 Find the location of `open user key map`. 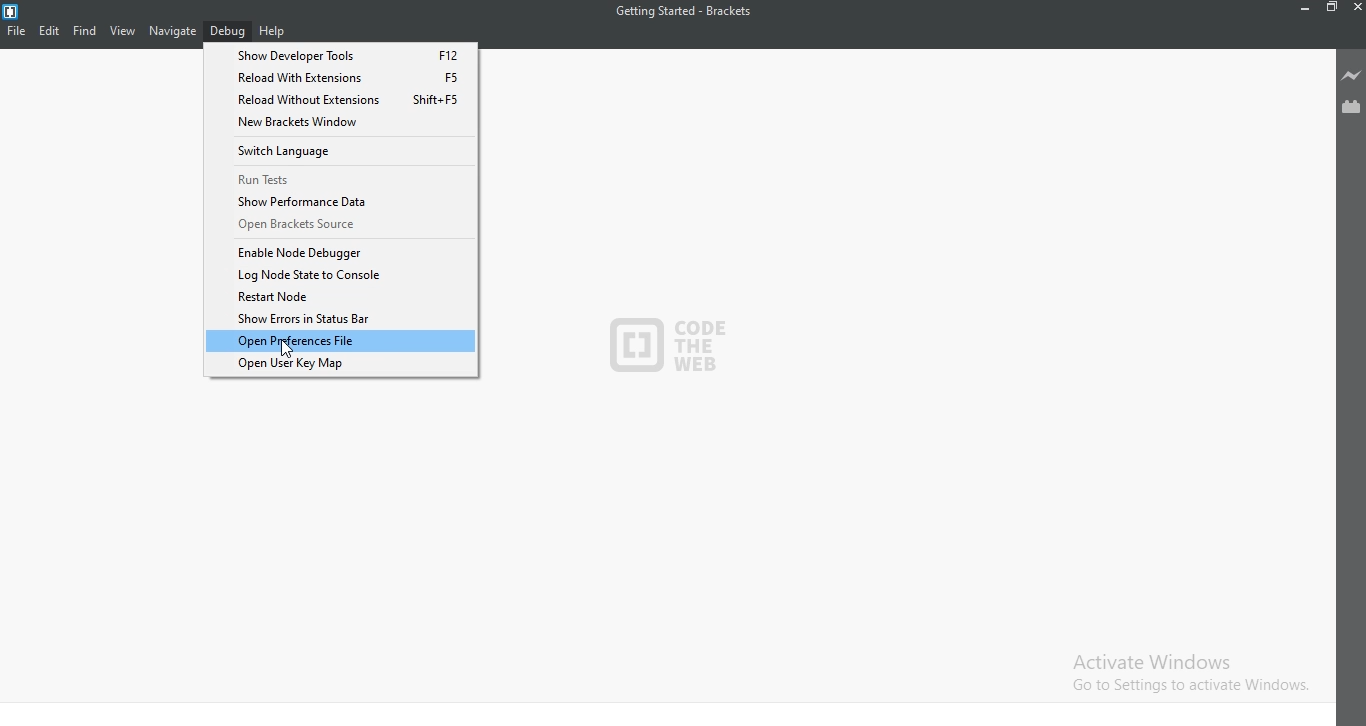

open user key map is located at coordinates (344, 364).